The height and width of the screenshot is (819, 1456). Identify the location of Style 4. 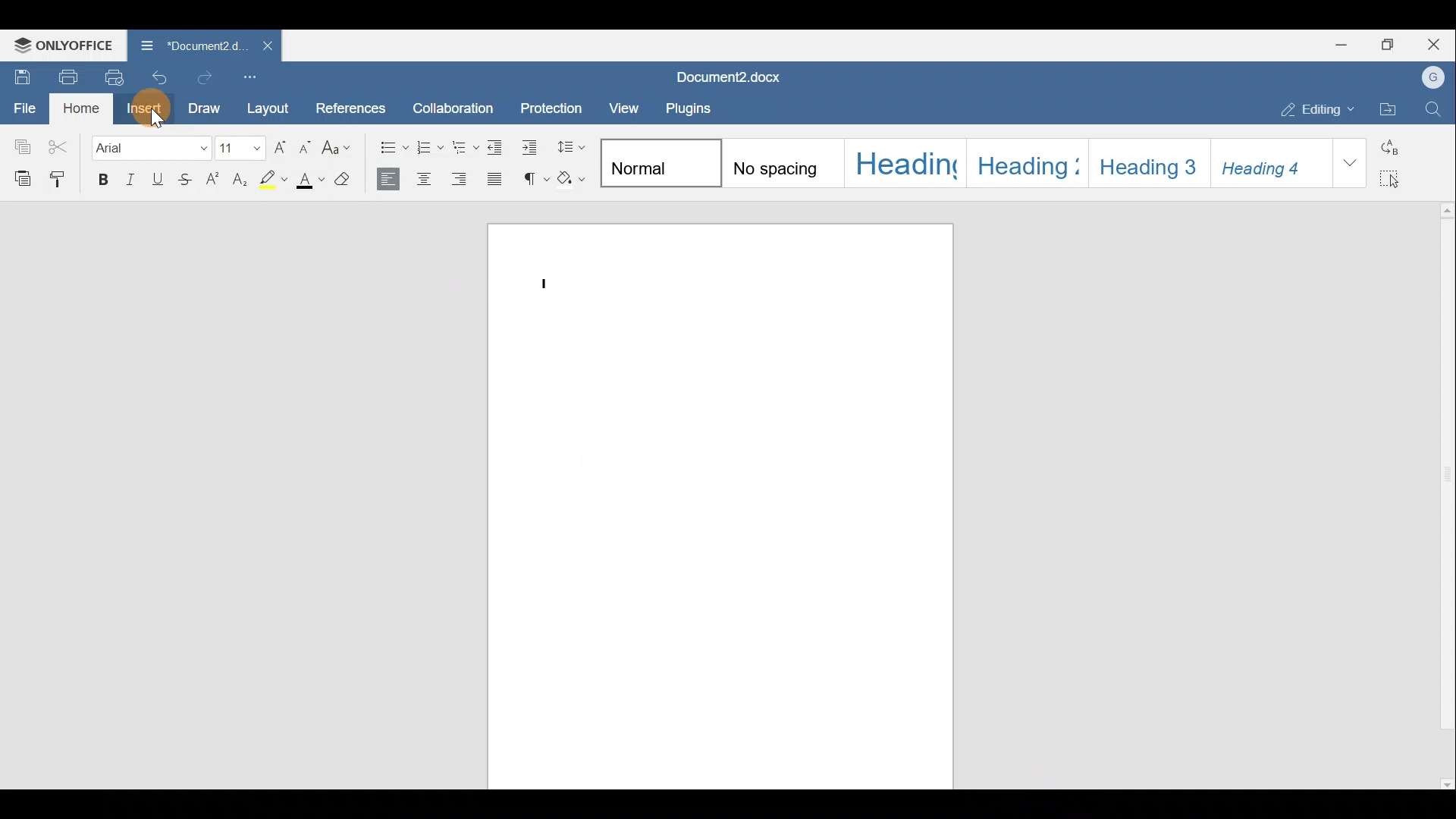
(1031, 162).